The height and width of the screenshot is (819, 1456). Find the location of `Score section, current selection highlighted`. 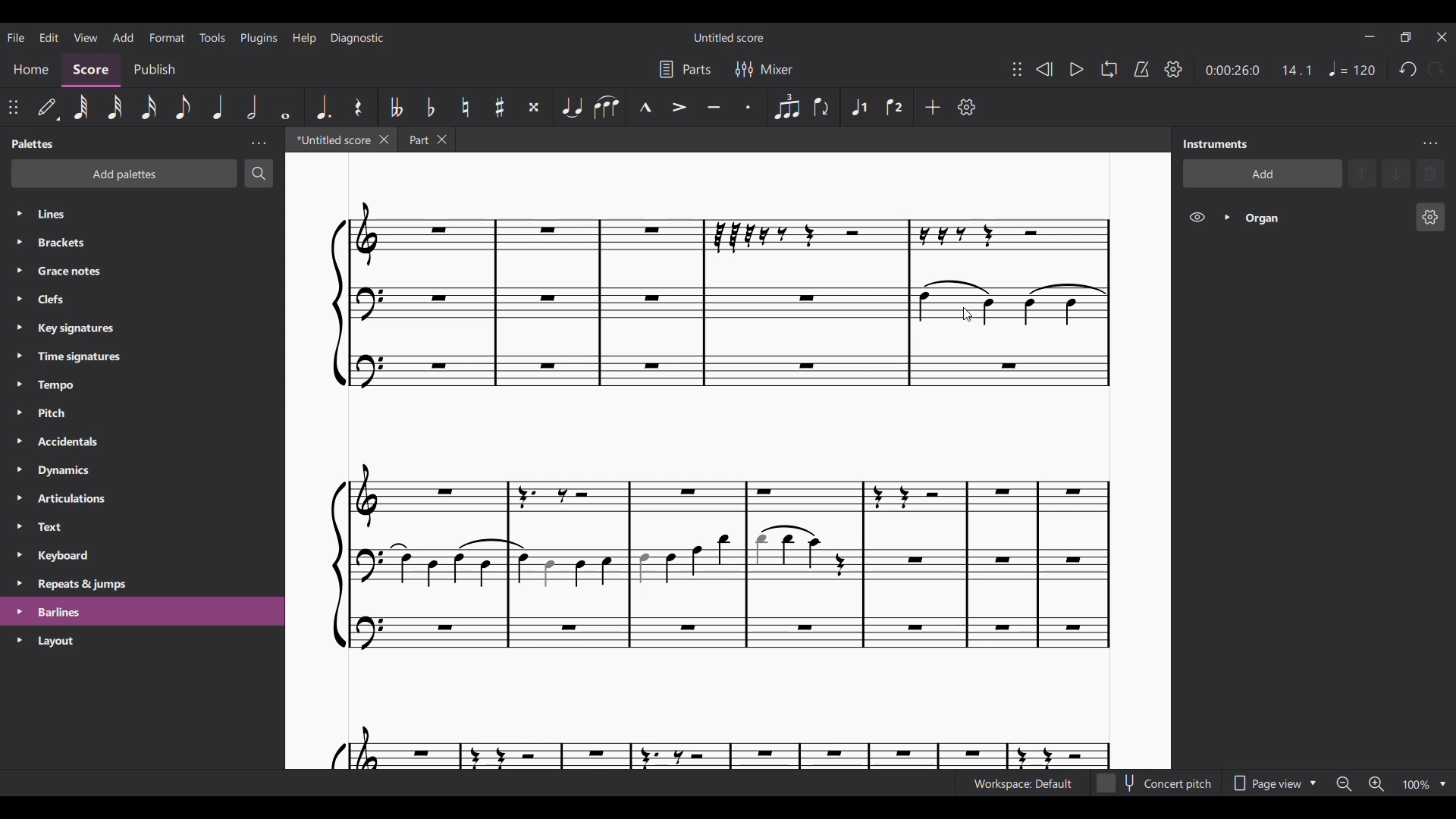

Score section, current selection highlighted is located at coordinates (91, 70).